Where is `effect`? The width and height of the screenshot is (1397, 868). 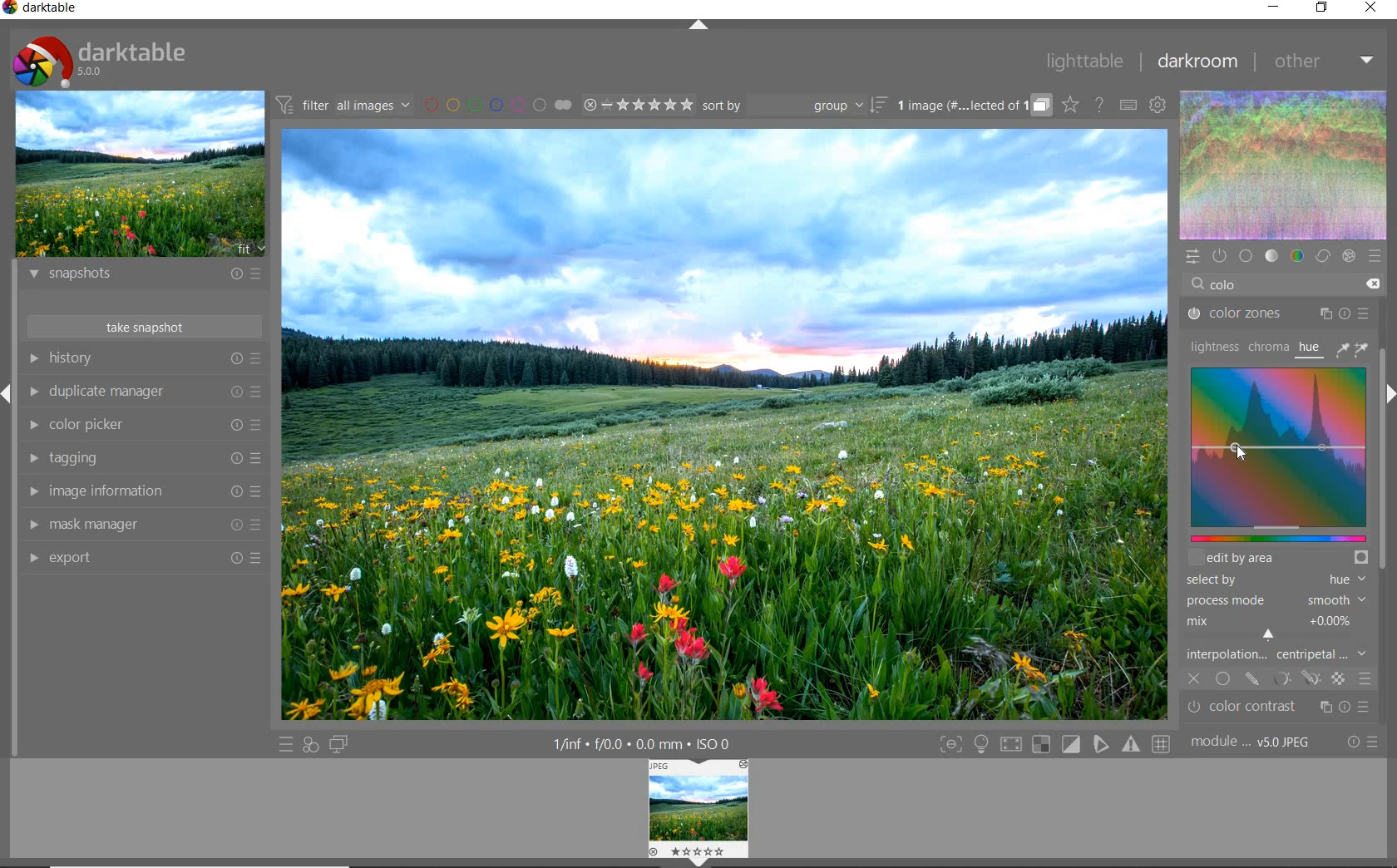 effect is located at coordinates (1348, 257).